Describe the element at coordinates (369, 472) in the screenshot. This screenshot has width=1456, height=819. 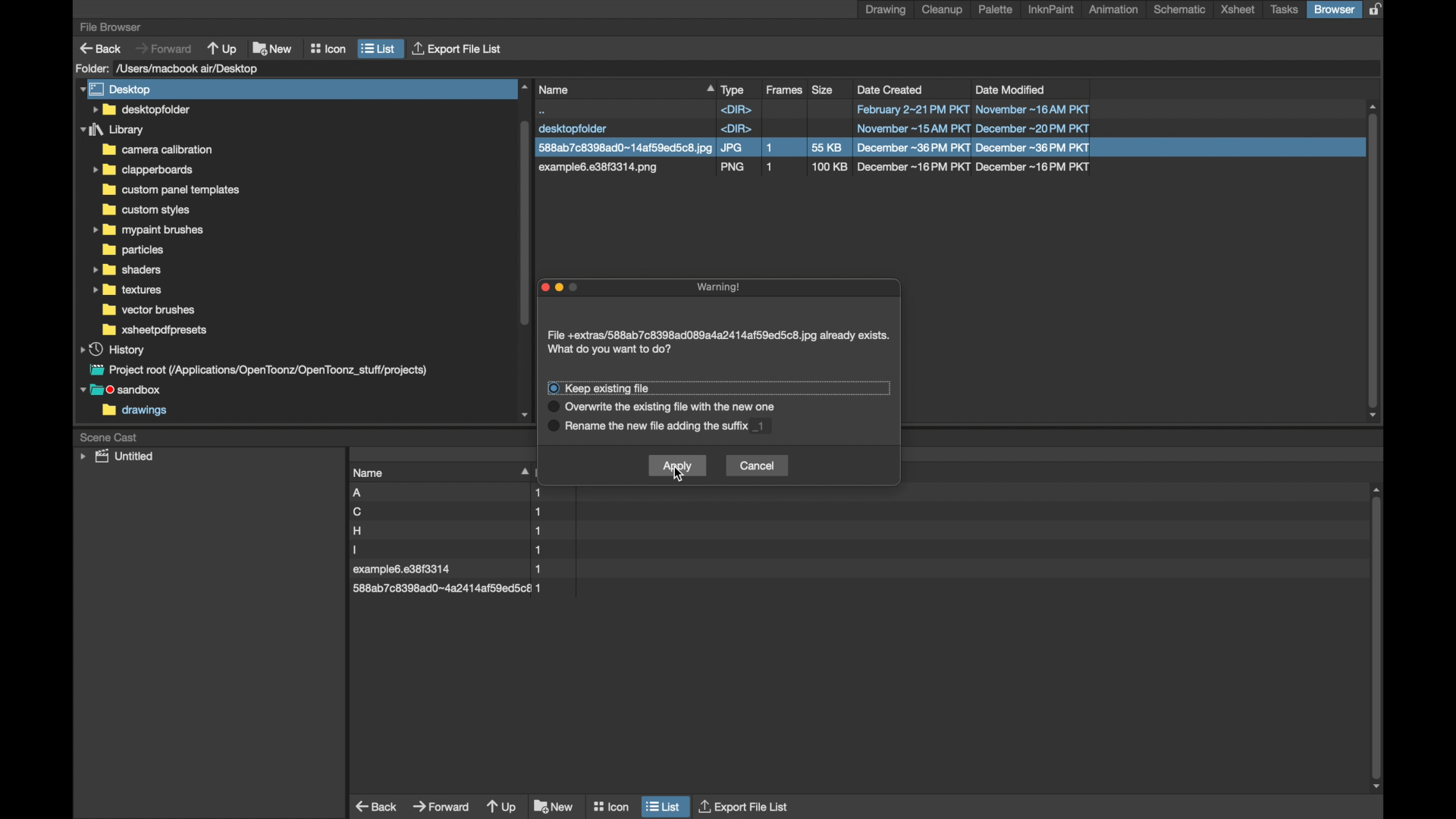
I see `name` at that location.